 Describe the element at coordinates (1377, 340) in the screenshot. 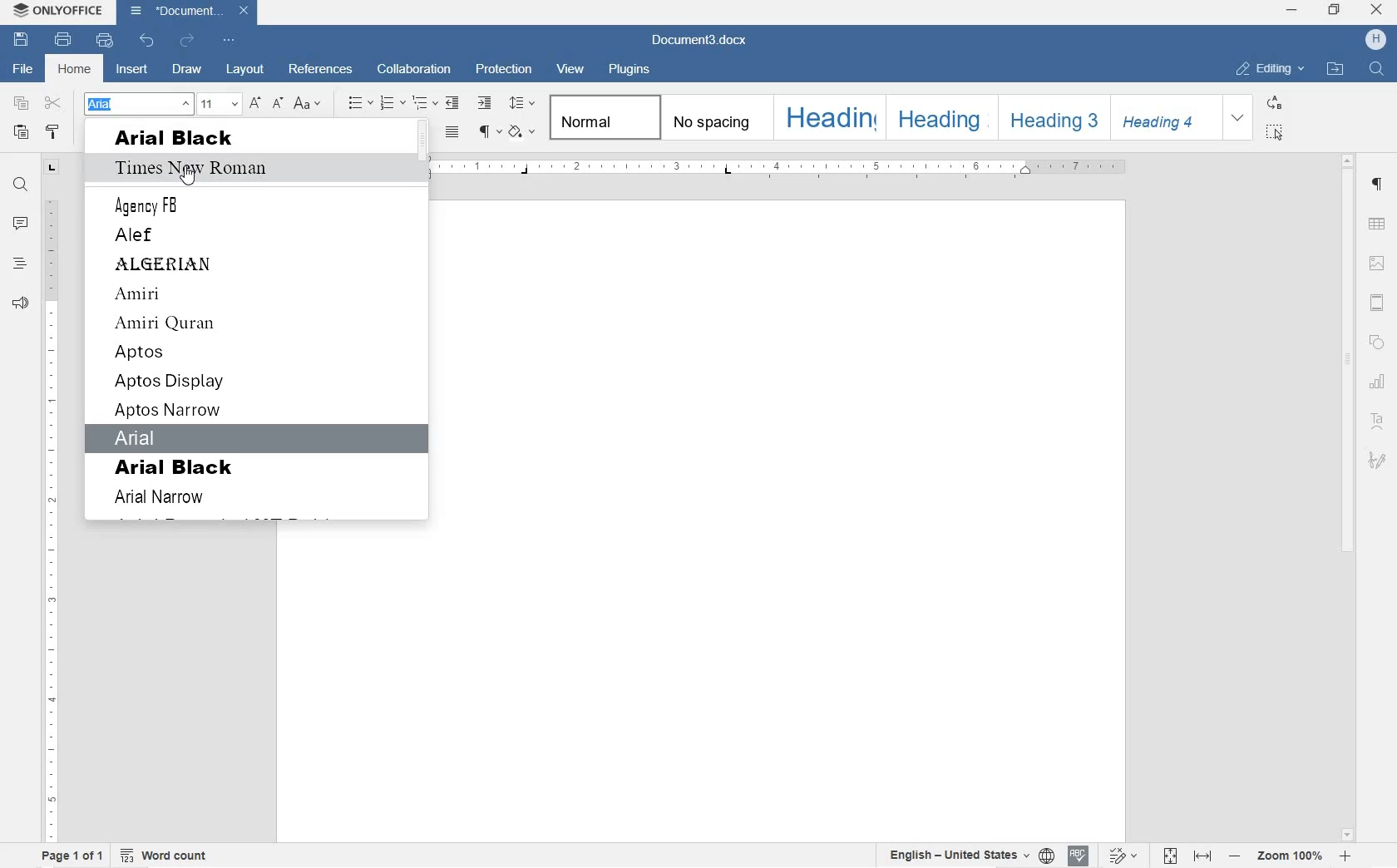

I see `SHAPE` at that location.